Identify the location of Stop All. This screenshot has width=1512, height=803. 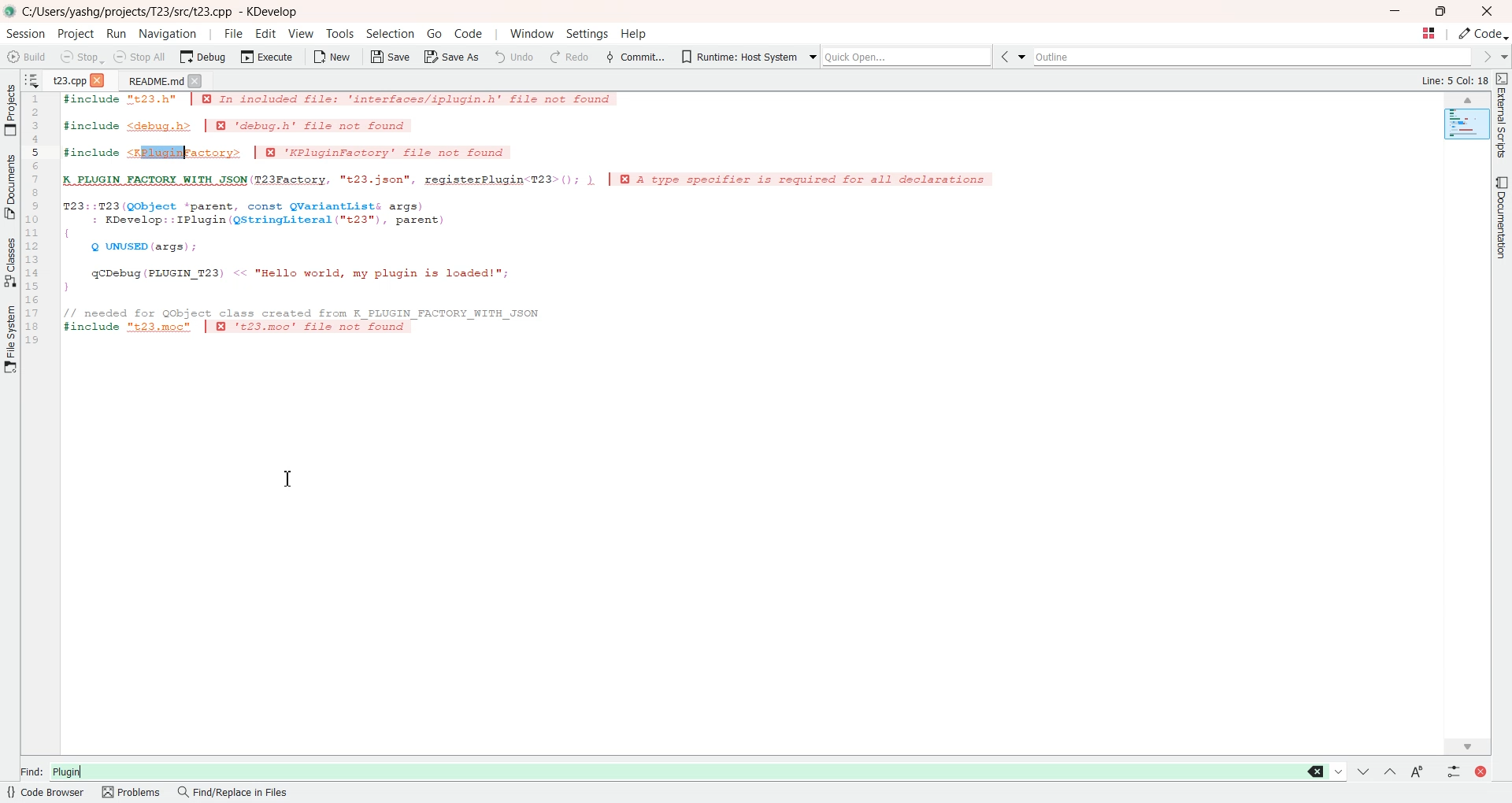
(141, 57).